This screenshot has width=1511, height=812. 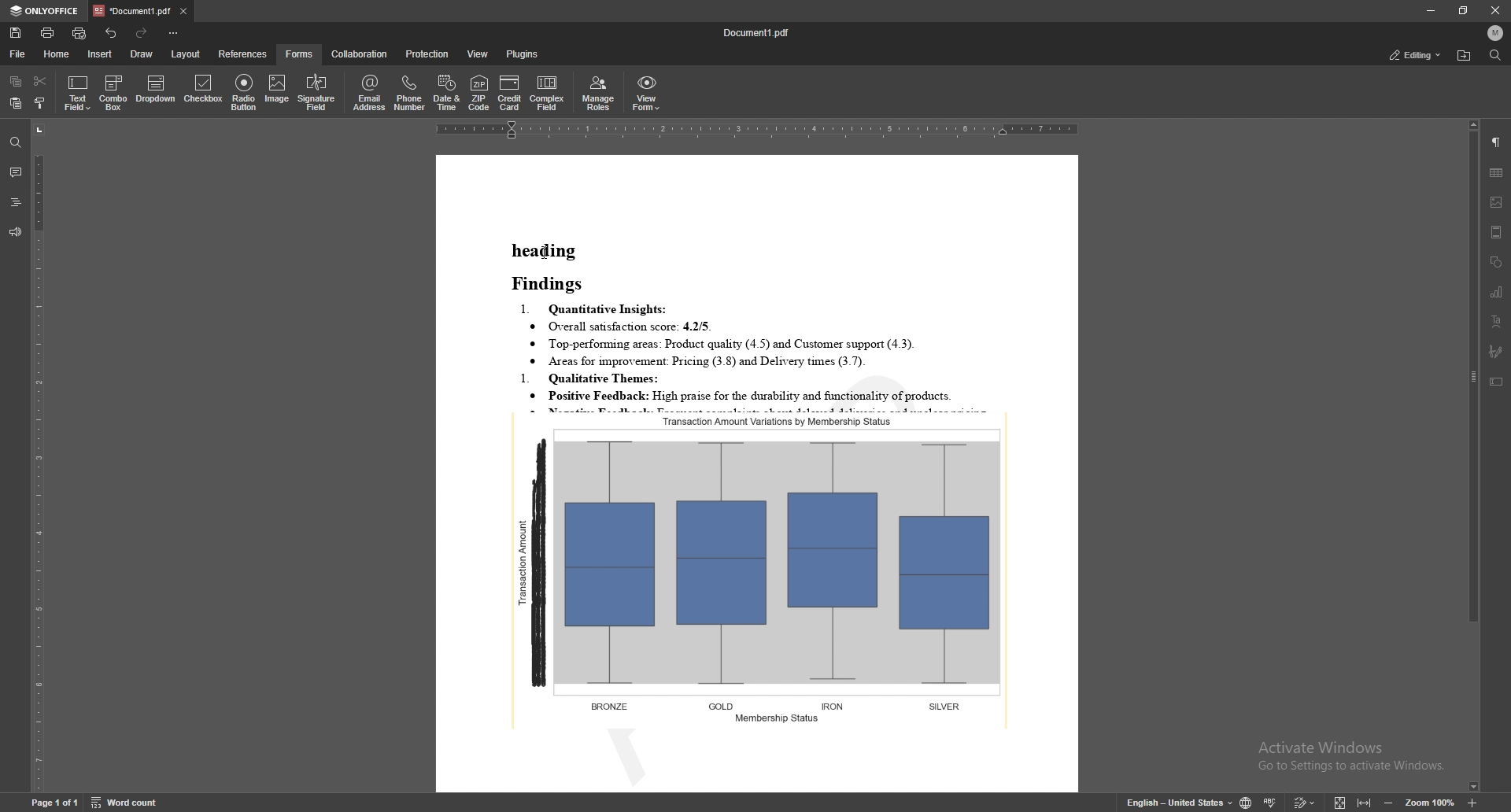 What do you see at coordinates (763, 569) in the screenshot?
I see `graph` at bounding box center [763, 569].